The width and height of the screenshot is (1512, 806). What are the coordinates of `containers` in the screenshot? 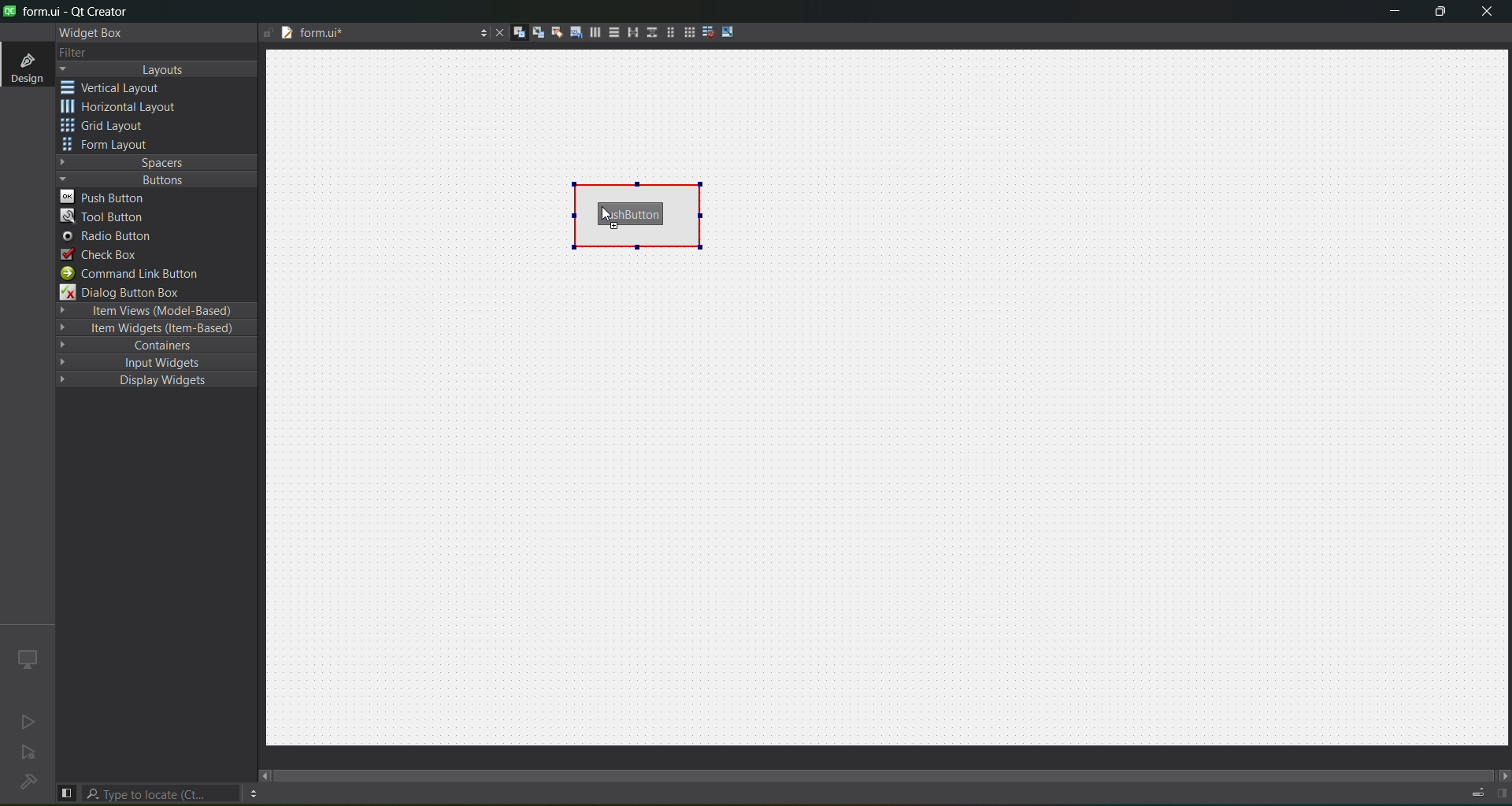 It's located at (159, 347).